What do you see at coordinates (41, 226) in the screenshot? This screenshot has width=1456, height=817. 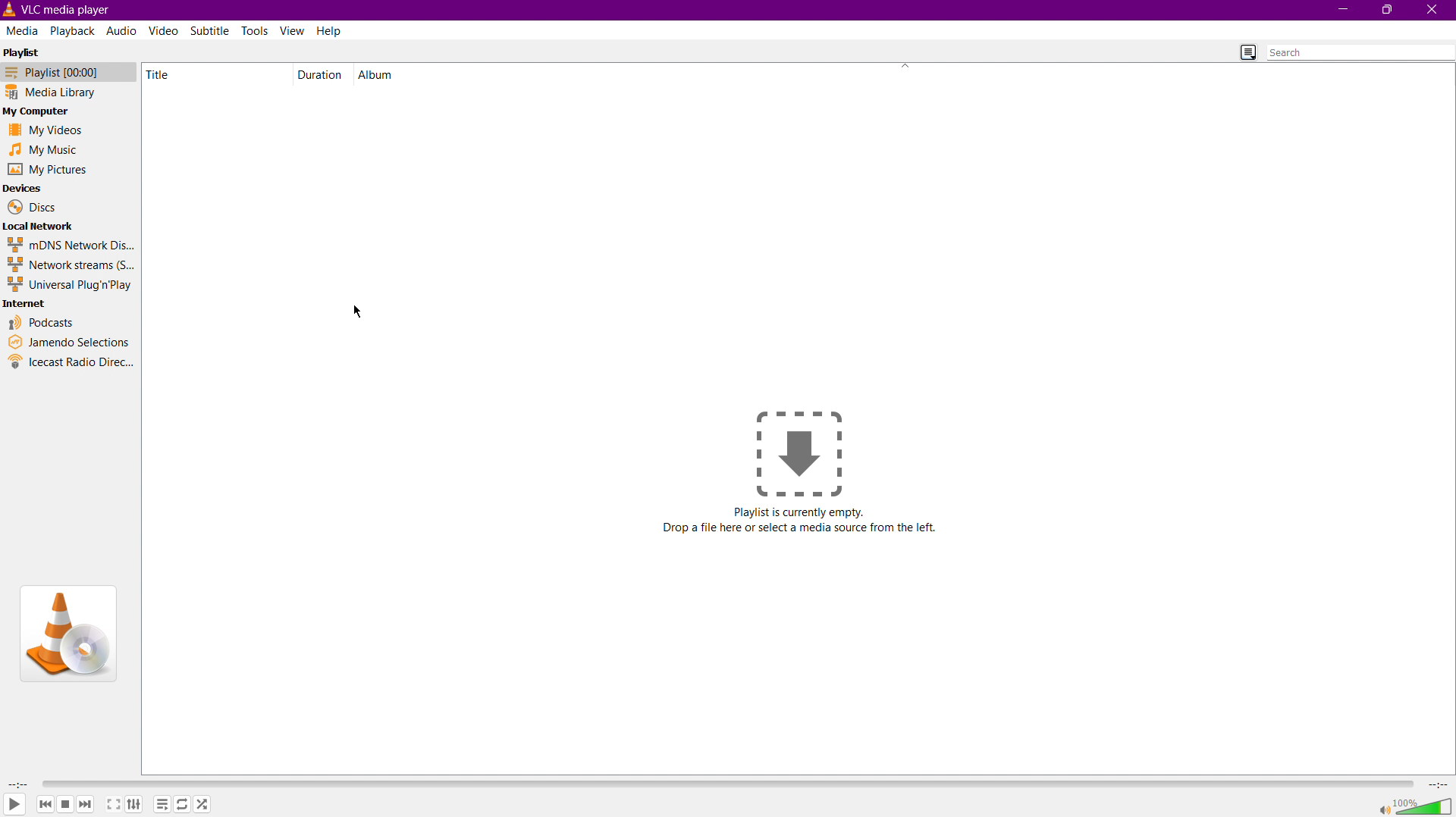 I see `Local Network` at bounding box center [41, 226].